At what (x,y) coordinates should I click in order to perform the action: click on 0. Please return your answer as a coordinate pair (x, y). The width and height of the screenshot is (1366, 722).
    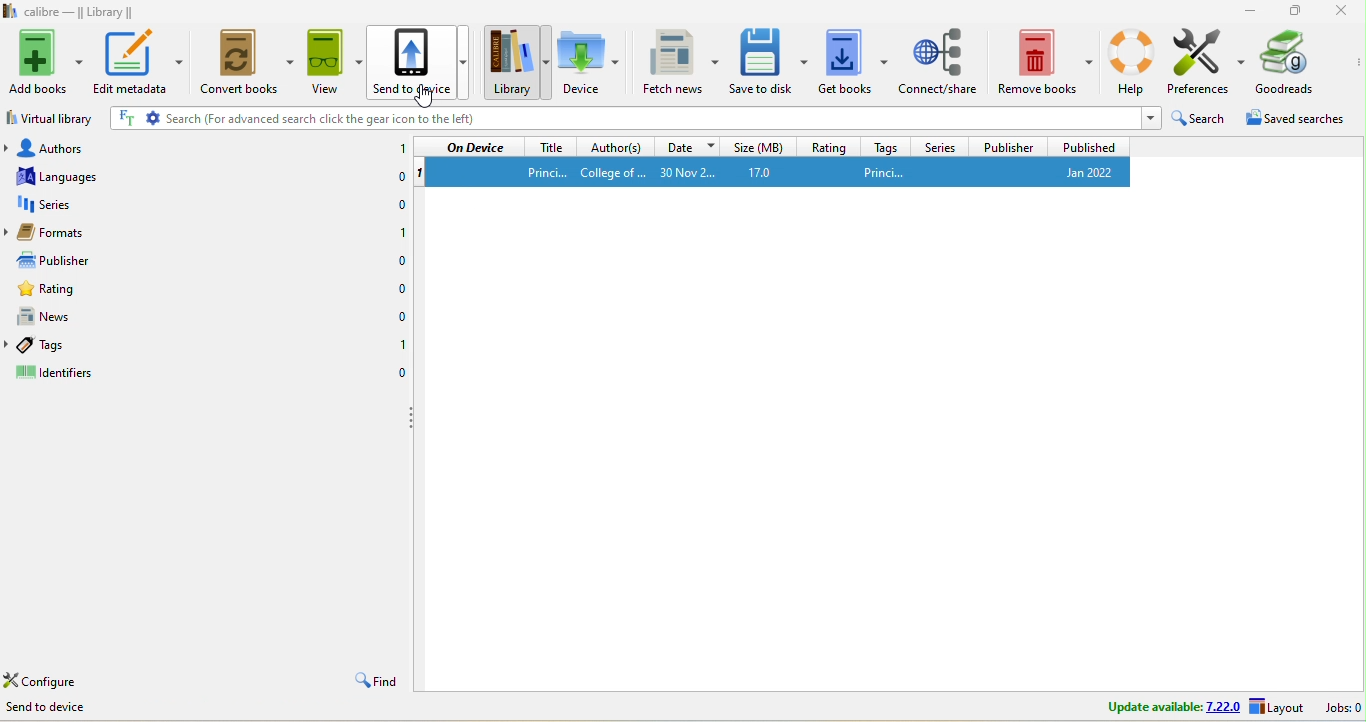
    Looking at the image, I should click on (394, 317).